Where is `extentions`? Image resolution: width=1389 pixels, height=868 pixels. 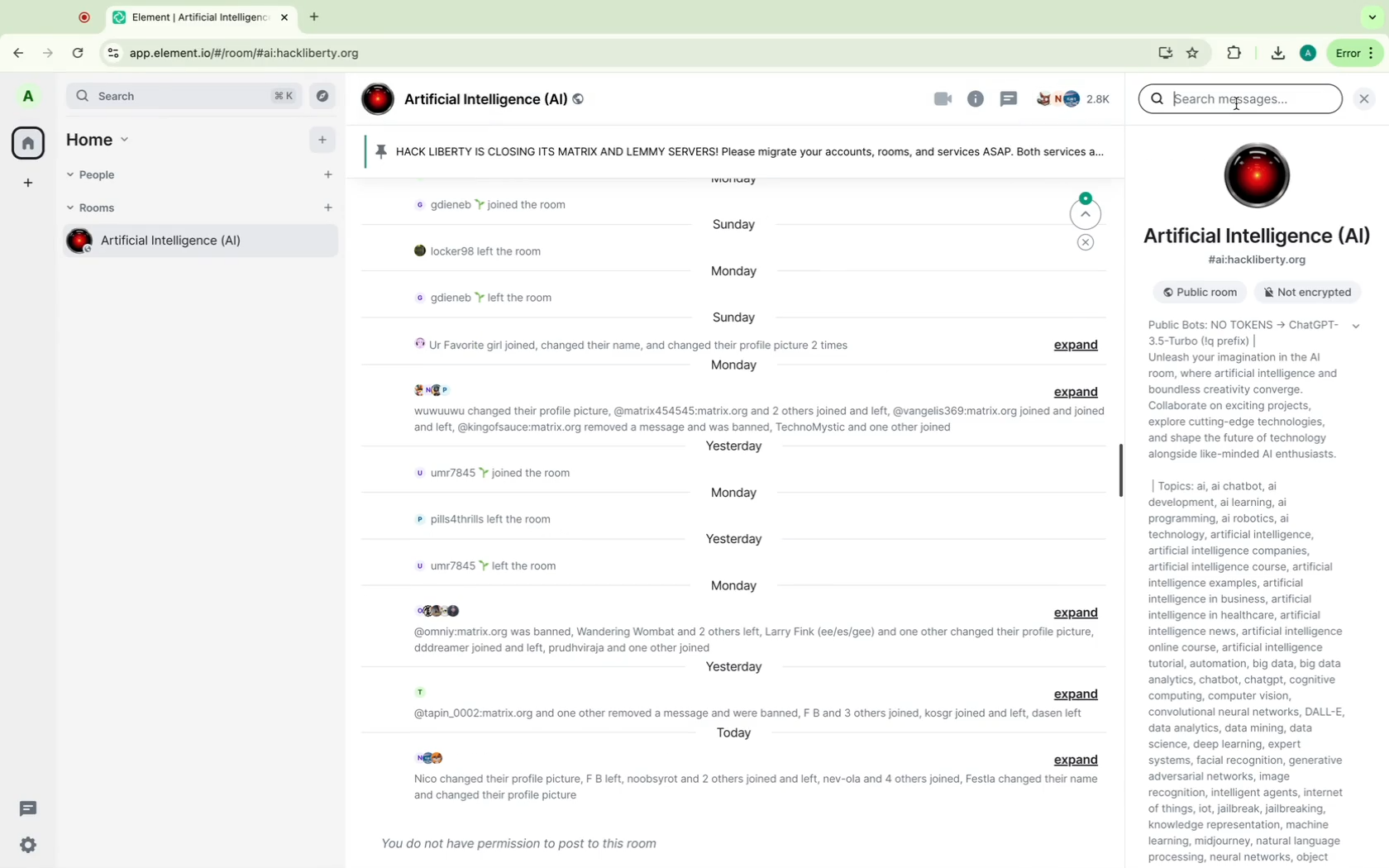
extentions is located at coordinates (1234, 55).